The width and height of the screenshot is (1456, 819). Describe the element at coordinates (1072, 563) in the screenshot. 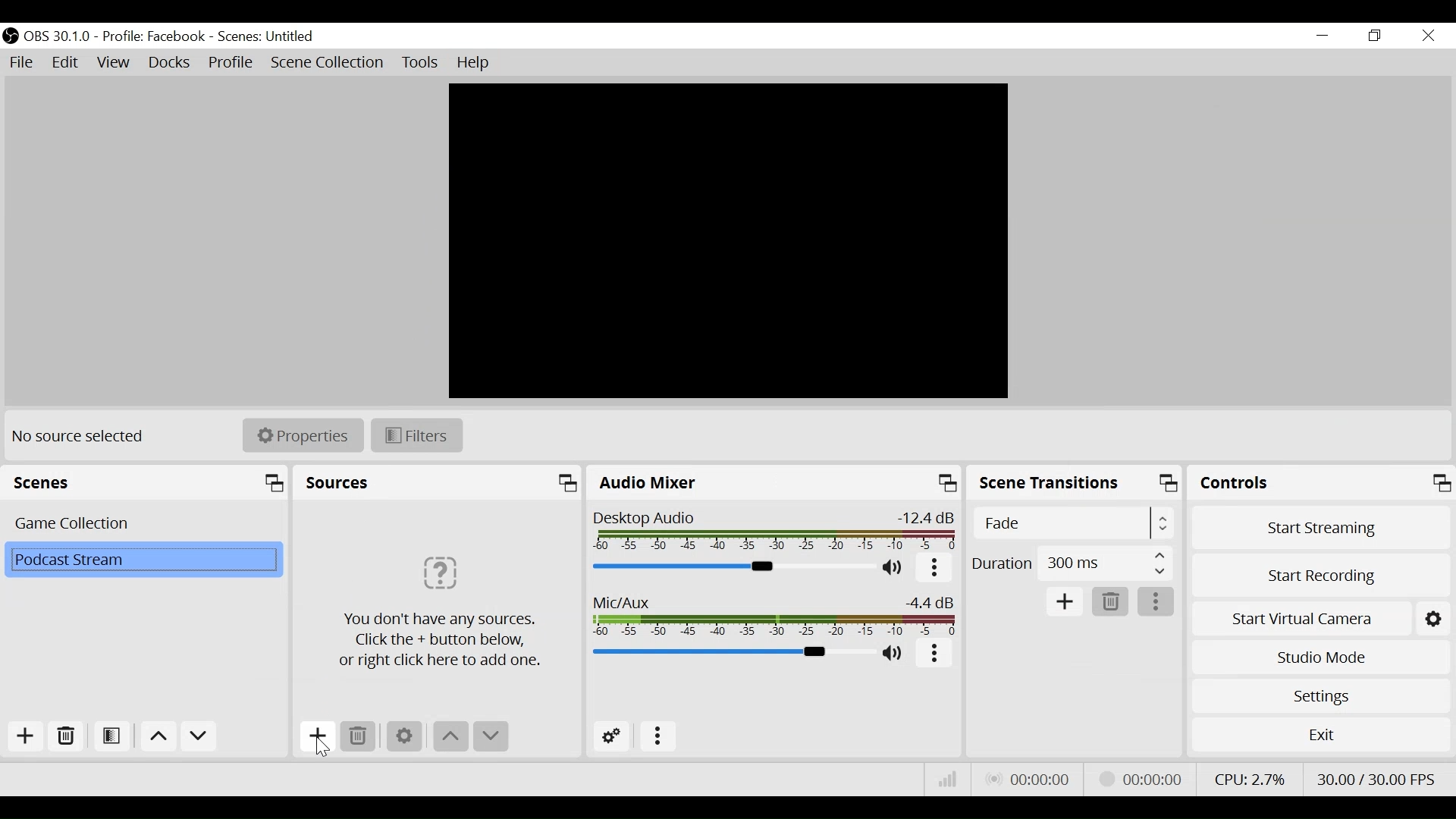

I see `Select Duration` at that location.